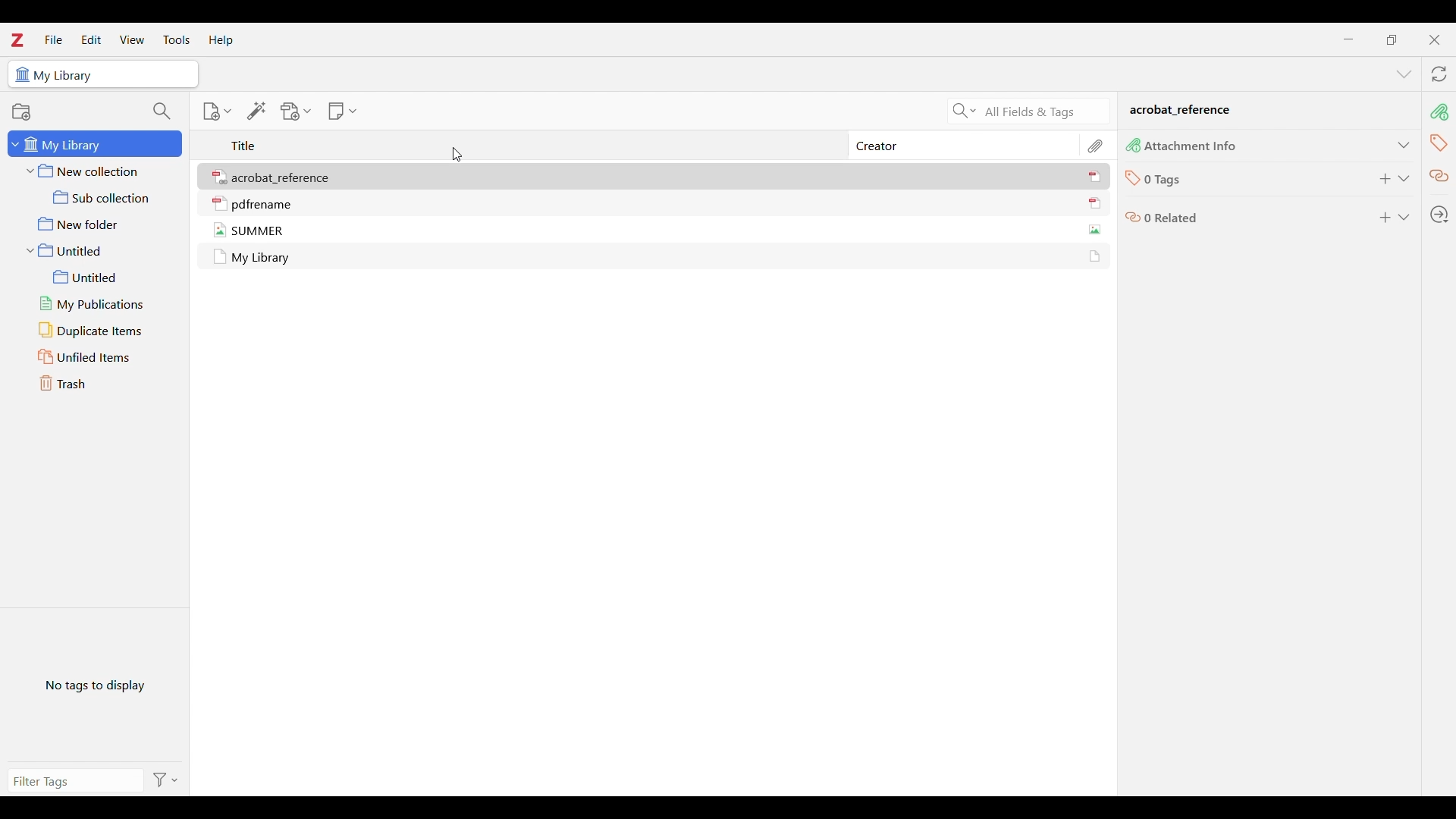  What do you see at coordinates (262, 205) in the screenshot?
I see `pdfrename` at bounding box center [262, 205].